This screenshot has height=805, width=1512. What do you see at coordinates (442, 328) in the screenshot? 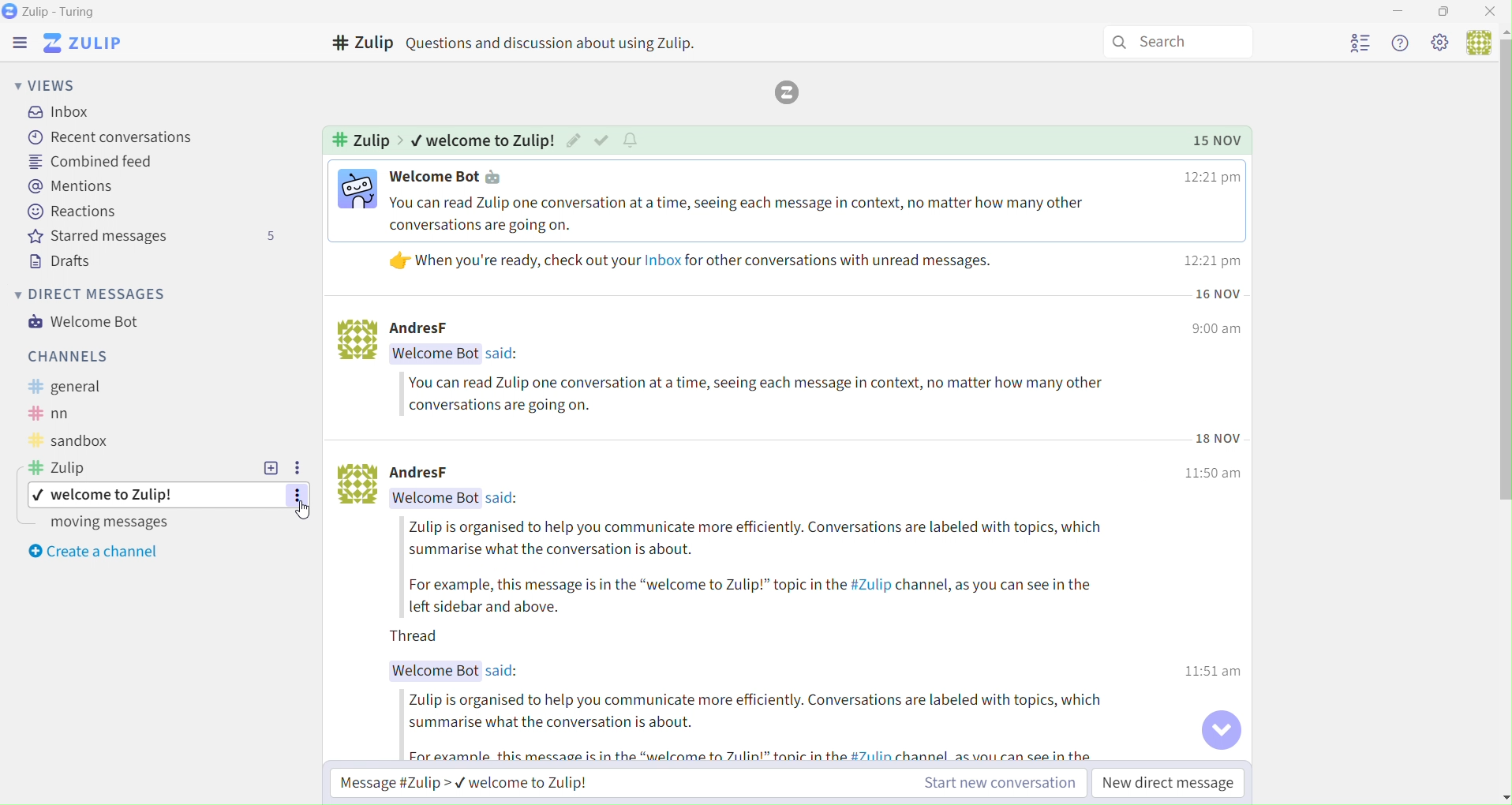
I see `Text` at bounding box center [442, 328].